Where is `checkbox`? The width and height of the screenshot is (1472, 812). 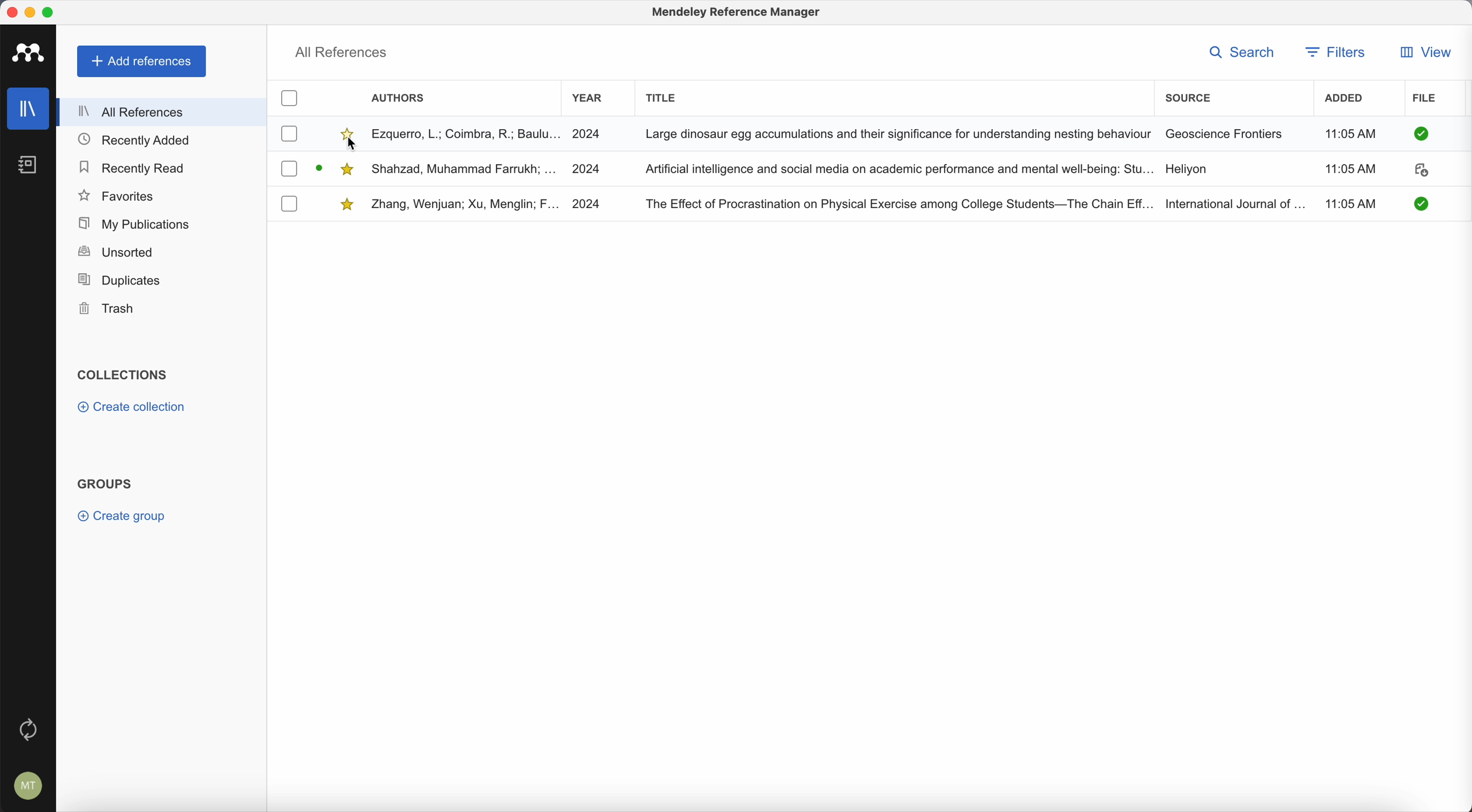 checkbox is located at coordinates (289, 203).